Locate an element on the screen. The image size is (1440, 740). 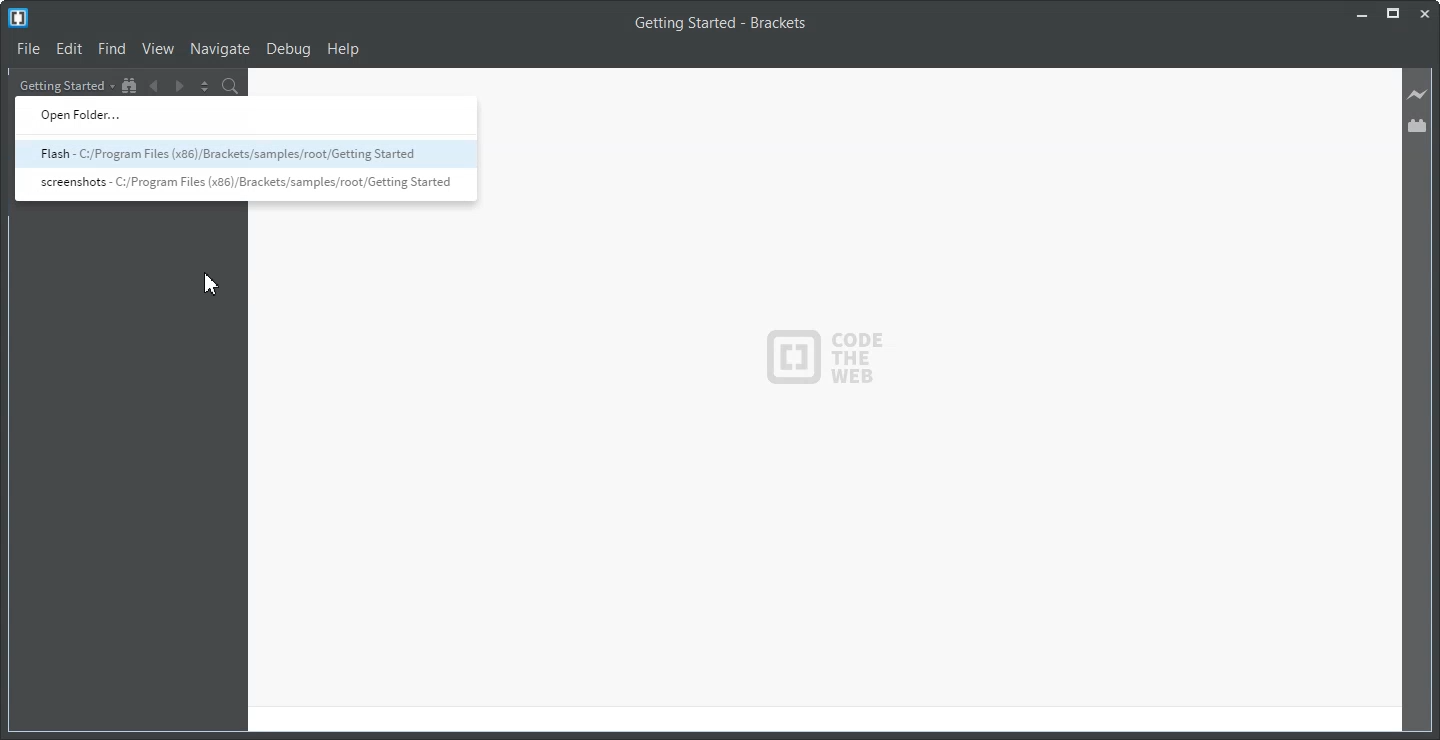
Split the editor vertically or Horizontally is located at coordinates (203, 86).